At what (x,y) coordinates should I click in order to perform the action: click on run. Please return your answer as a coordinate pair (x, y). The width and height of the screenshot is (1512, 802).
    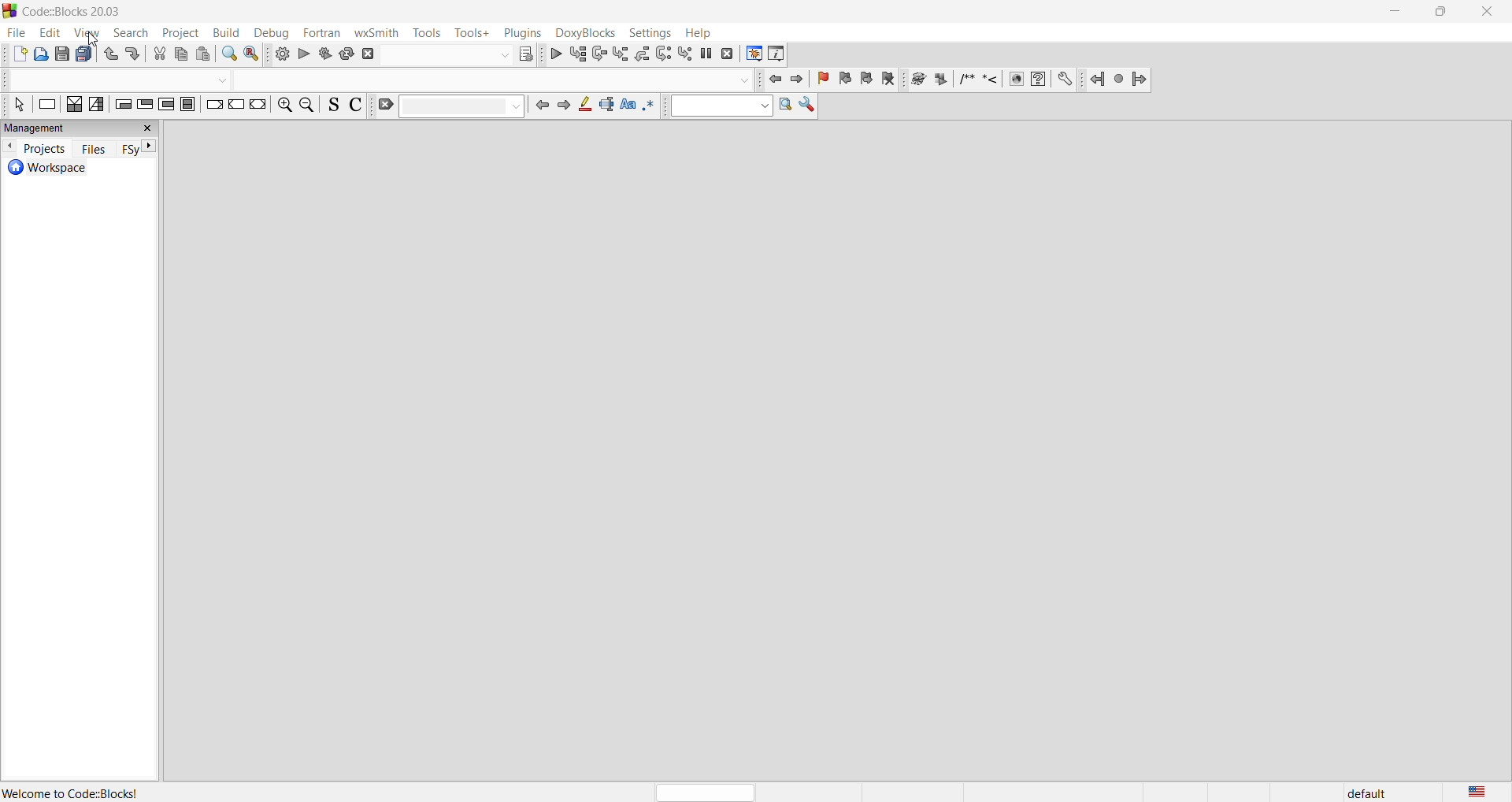
    Looking at the image, I should click on (303, 55).